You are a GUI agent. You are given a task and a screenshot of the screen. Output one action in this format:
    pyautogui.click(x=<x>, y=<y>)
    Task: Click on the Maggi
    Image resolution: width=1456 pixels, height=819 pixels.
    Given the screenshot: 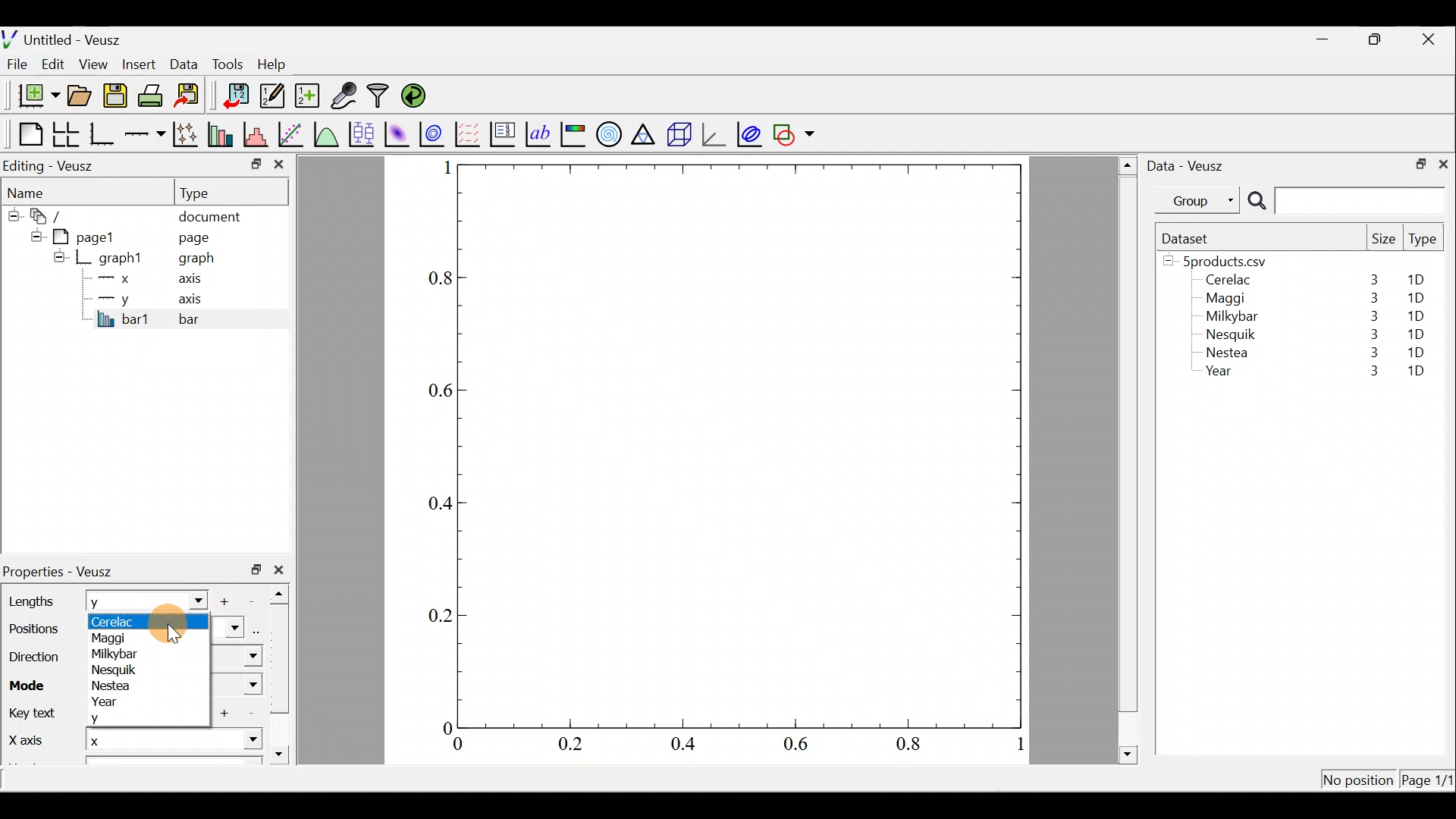 What is the action you would take?
    pyautogui.click(x=1227, y=300)
    